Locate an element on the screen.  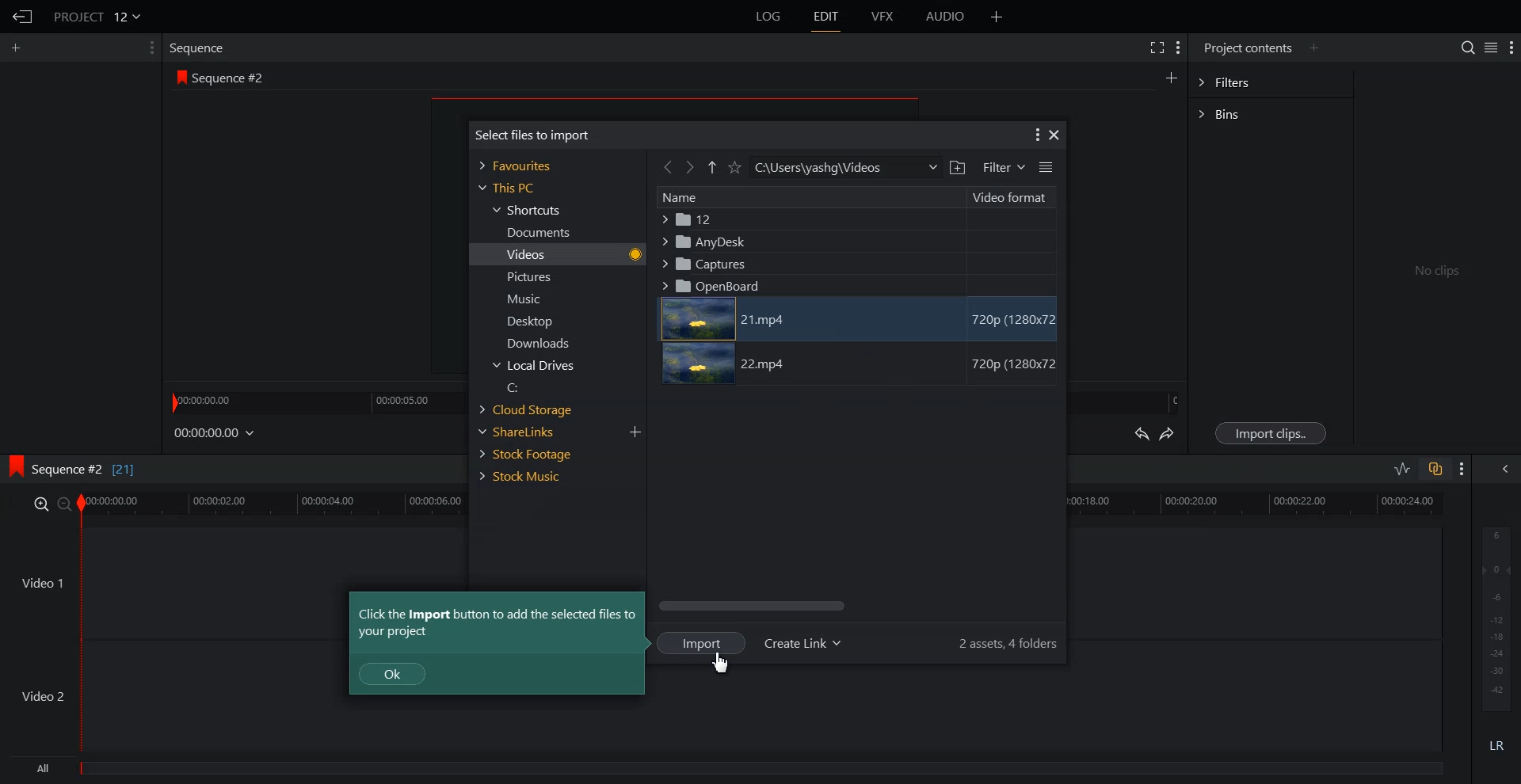
Up to is located at coordinates (713, 166).